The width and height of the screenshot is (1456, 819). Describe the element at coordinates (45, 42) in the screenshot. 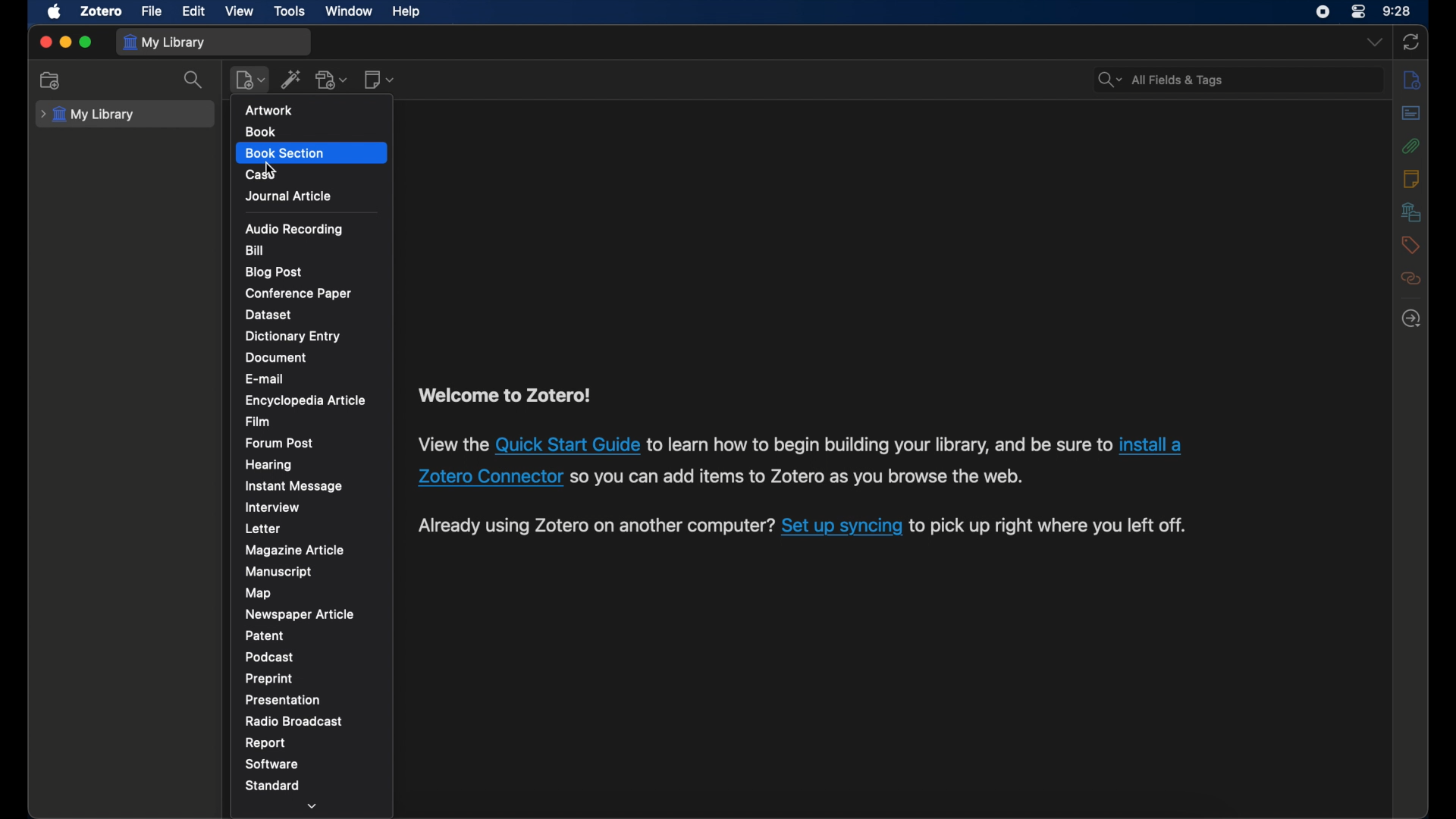

I see `close` at that location.